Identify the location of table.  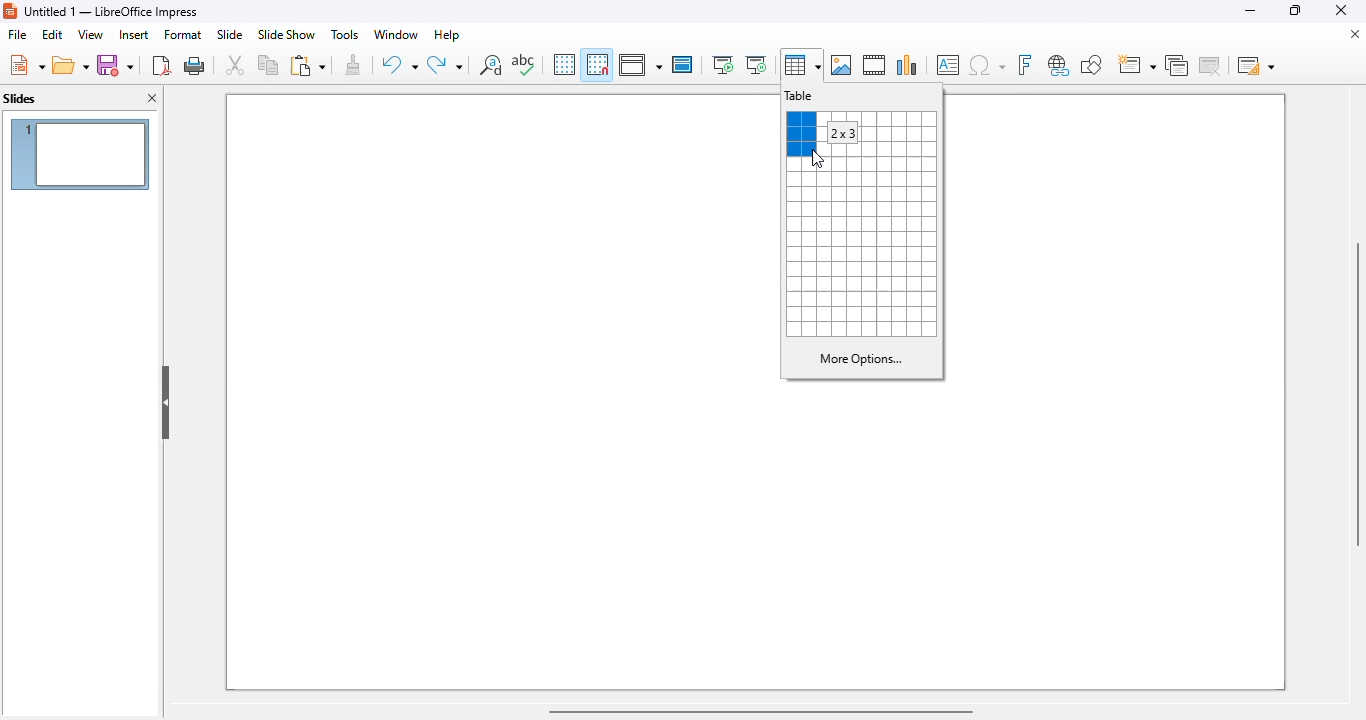
(800, 96).